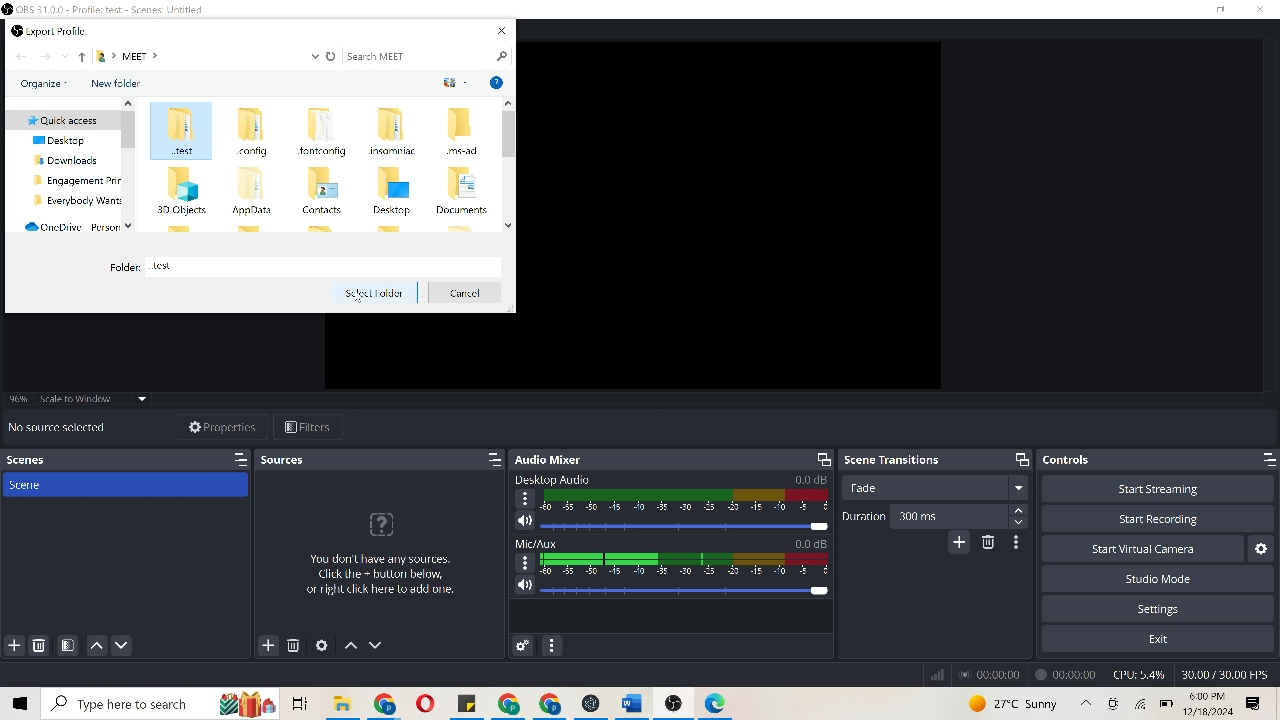 Image resolution: width=1280 pixels, height=720 pixels. Describe the element at coordinates (524, 498) in the screenshot. I see `options` at that location.